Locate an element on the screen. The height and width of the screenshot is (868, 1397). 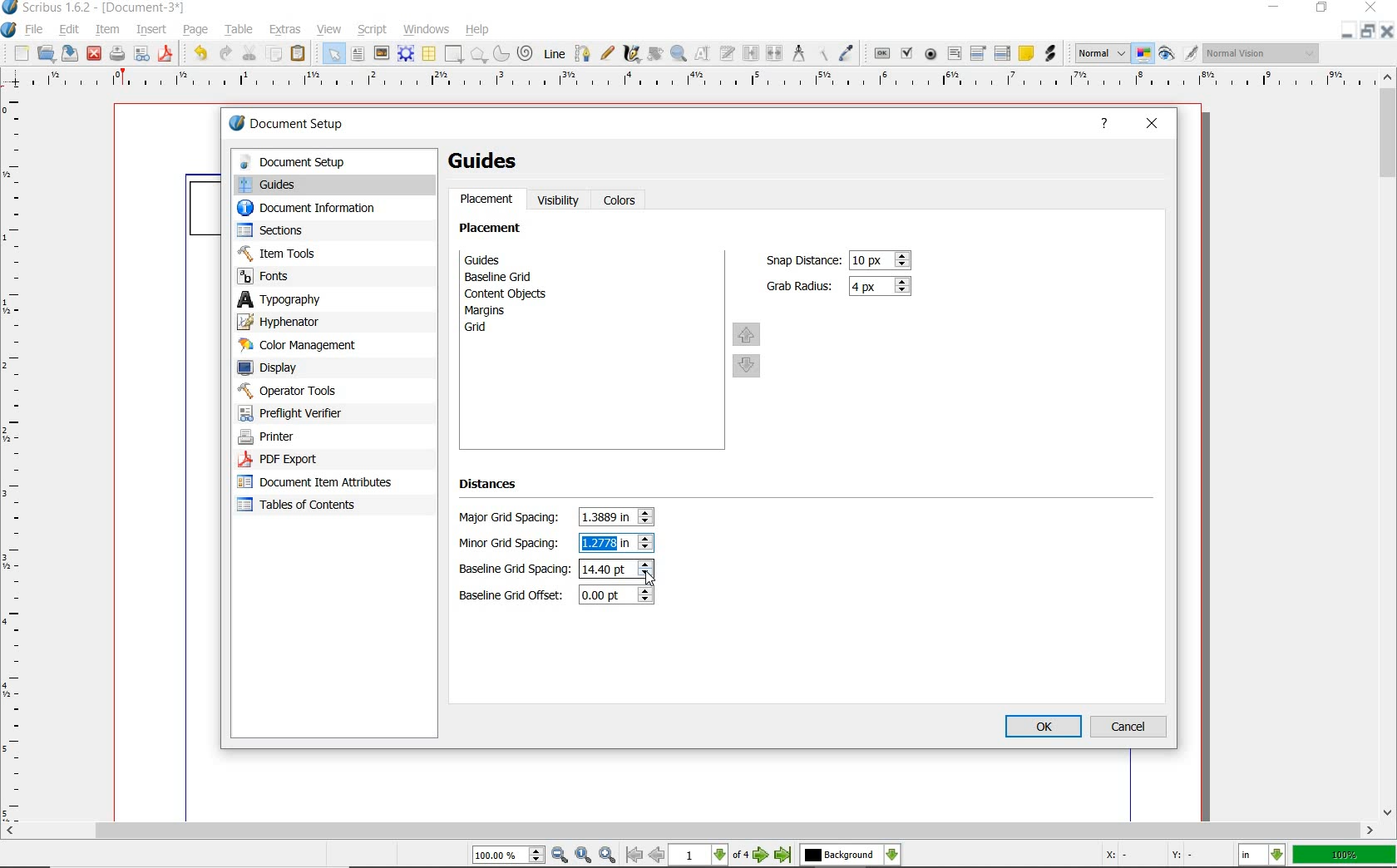
pdf-export is located at coordinates (315, 460).